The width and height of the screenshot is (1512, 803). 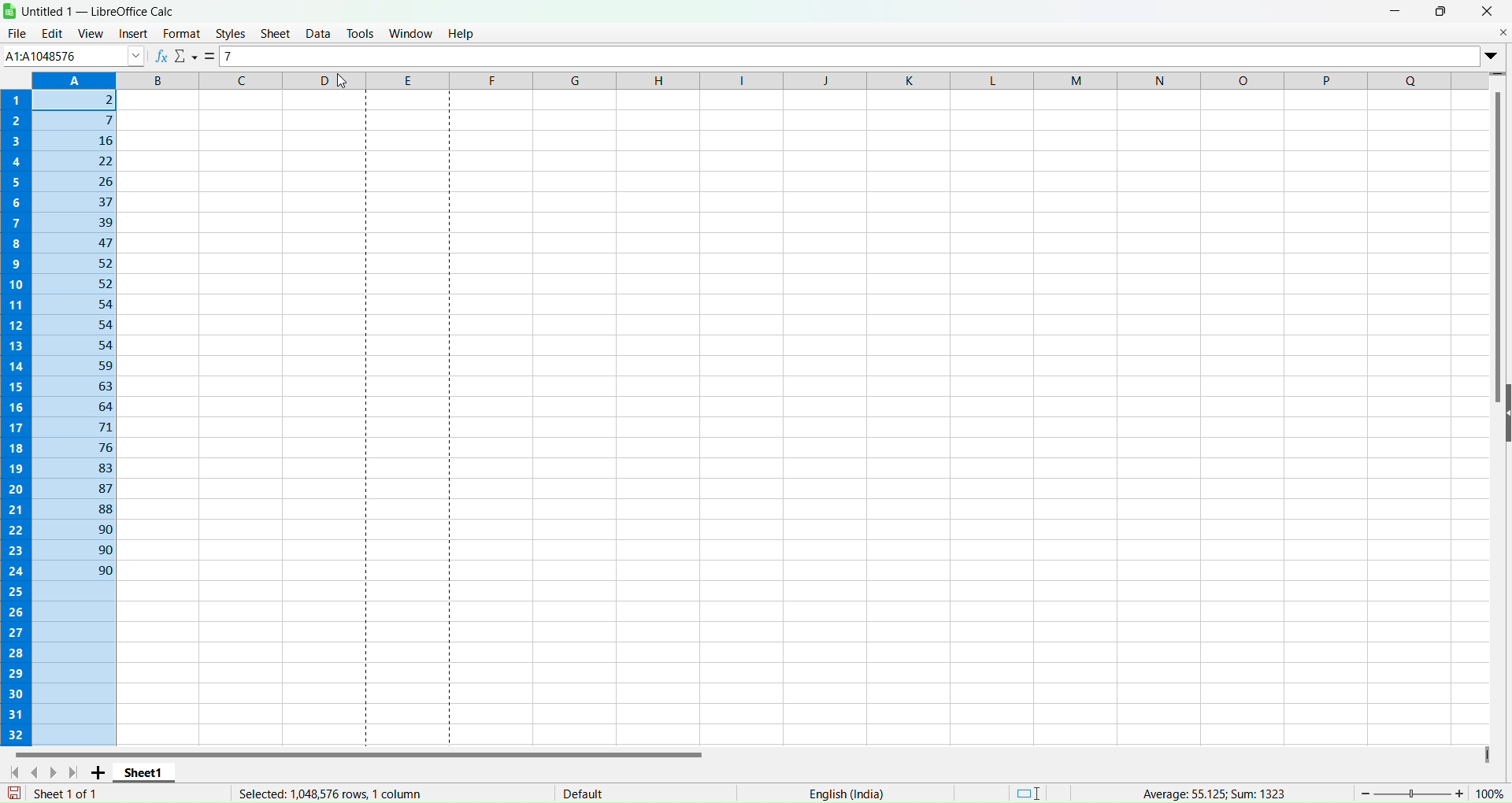 What do you see at coordinates (91, 31) in the screenshot?
I see `View` at bounding box center [91, 31].